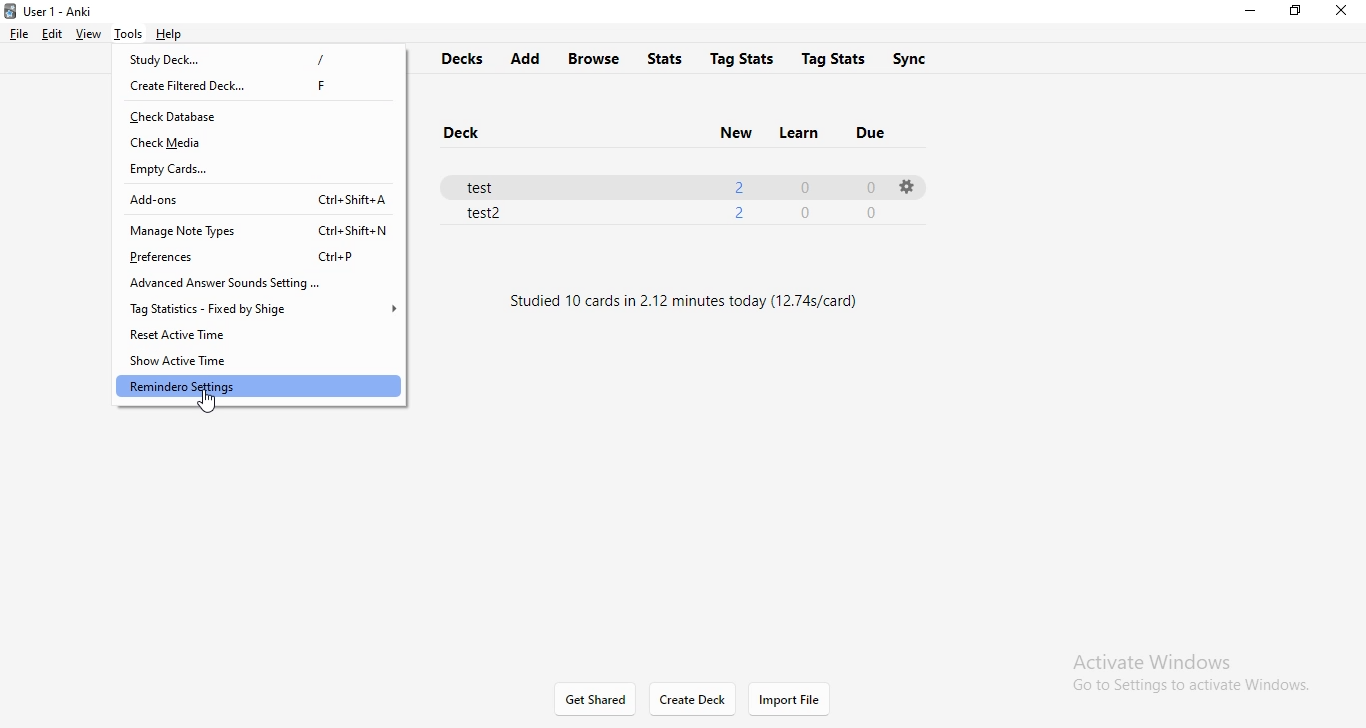  I want to click on 0, so click(806, 215).